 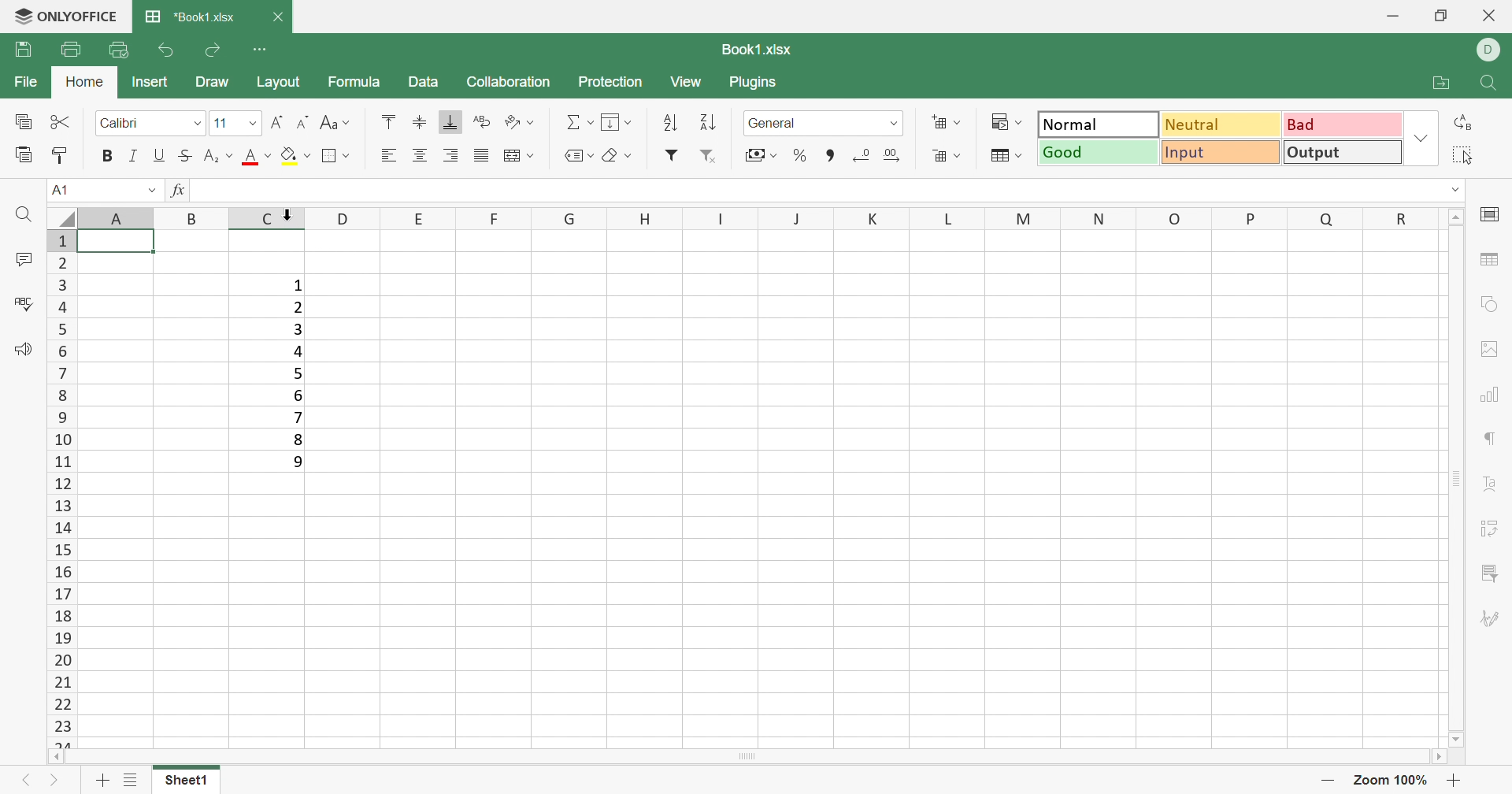 I want to click on Select cursor, so click(x=284, y=210).